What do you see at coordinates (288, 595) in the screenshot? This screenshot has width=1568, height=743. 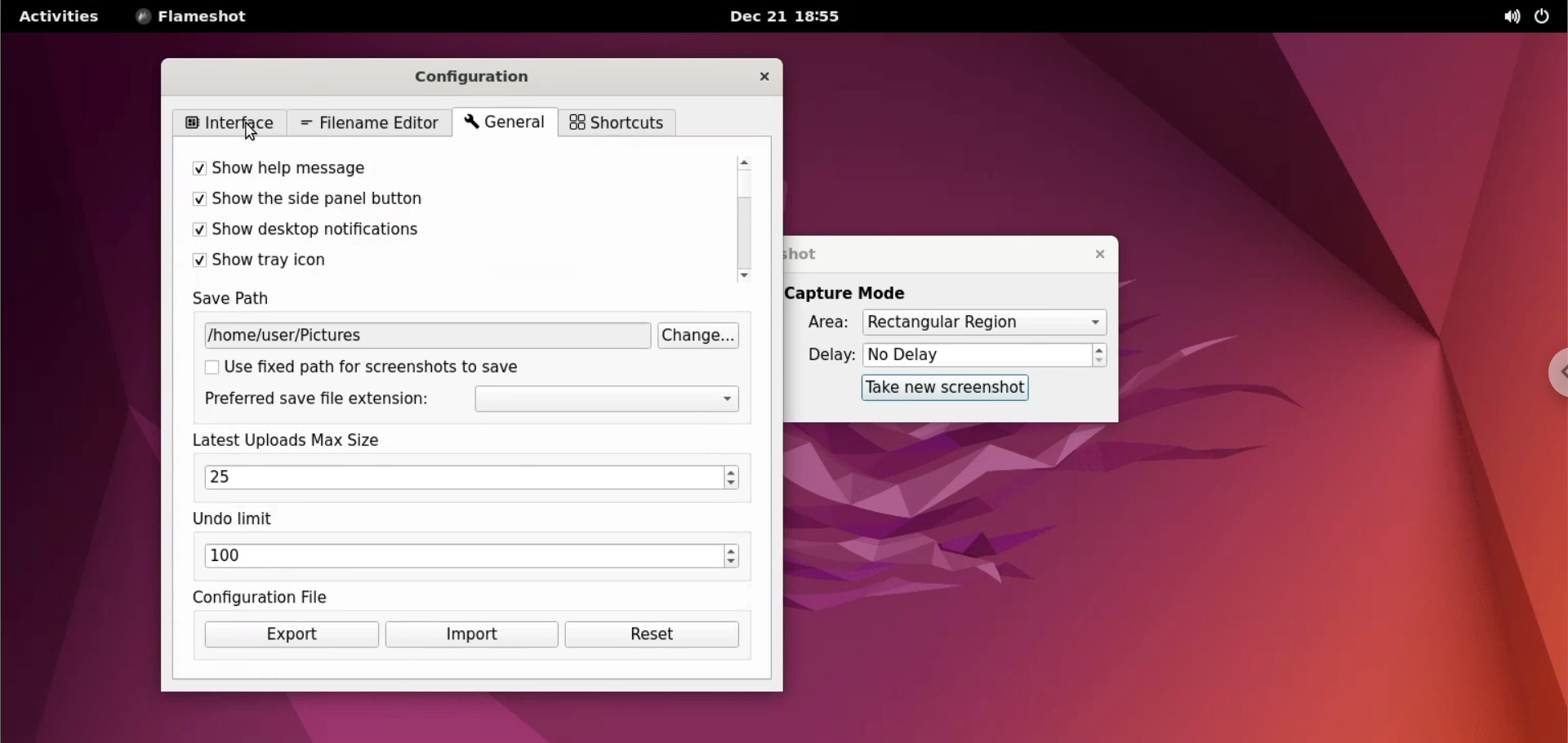 I see `configuration file` at bounding box center [288, 595].